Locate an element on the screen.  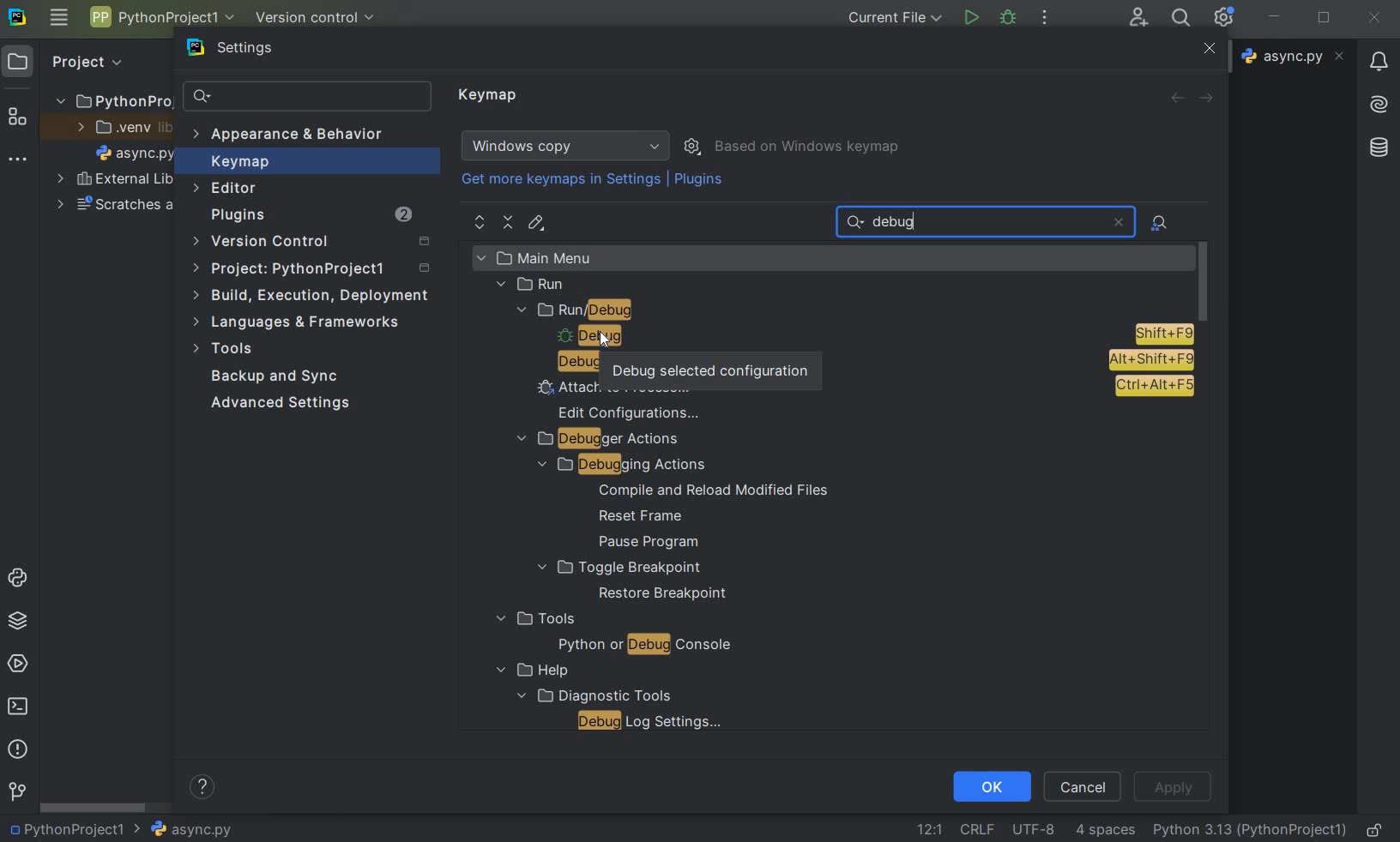
file name is located at coordinates (183, 829).